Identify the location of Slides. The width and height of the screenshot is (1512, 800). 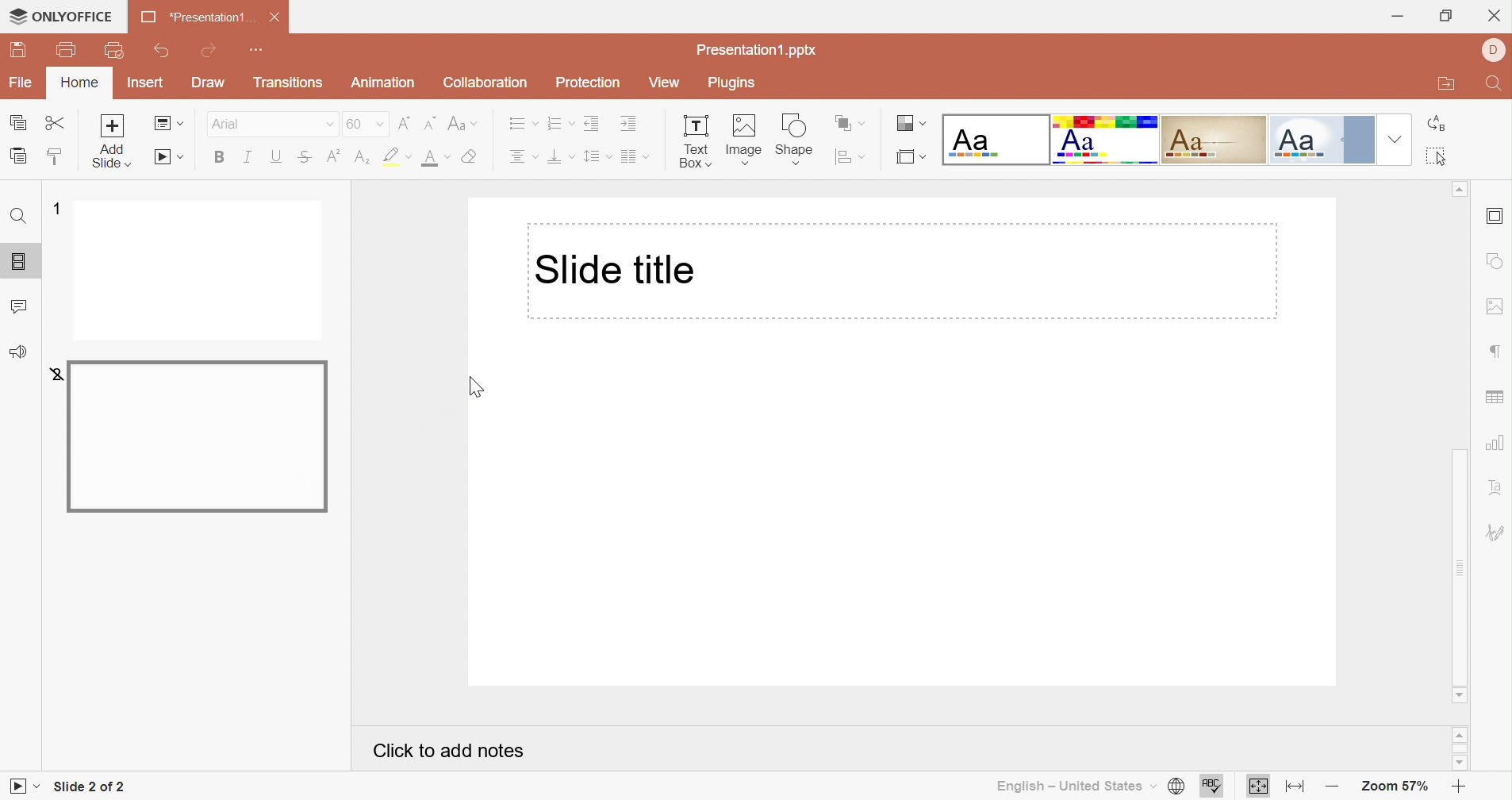
(18, 262).